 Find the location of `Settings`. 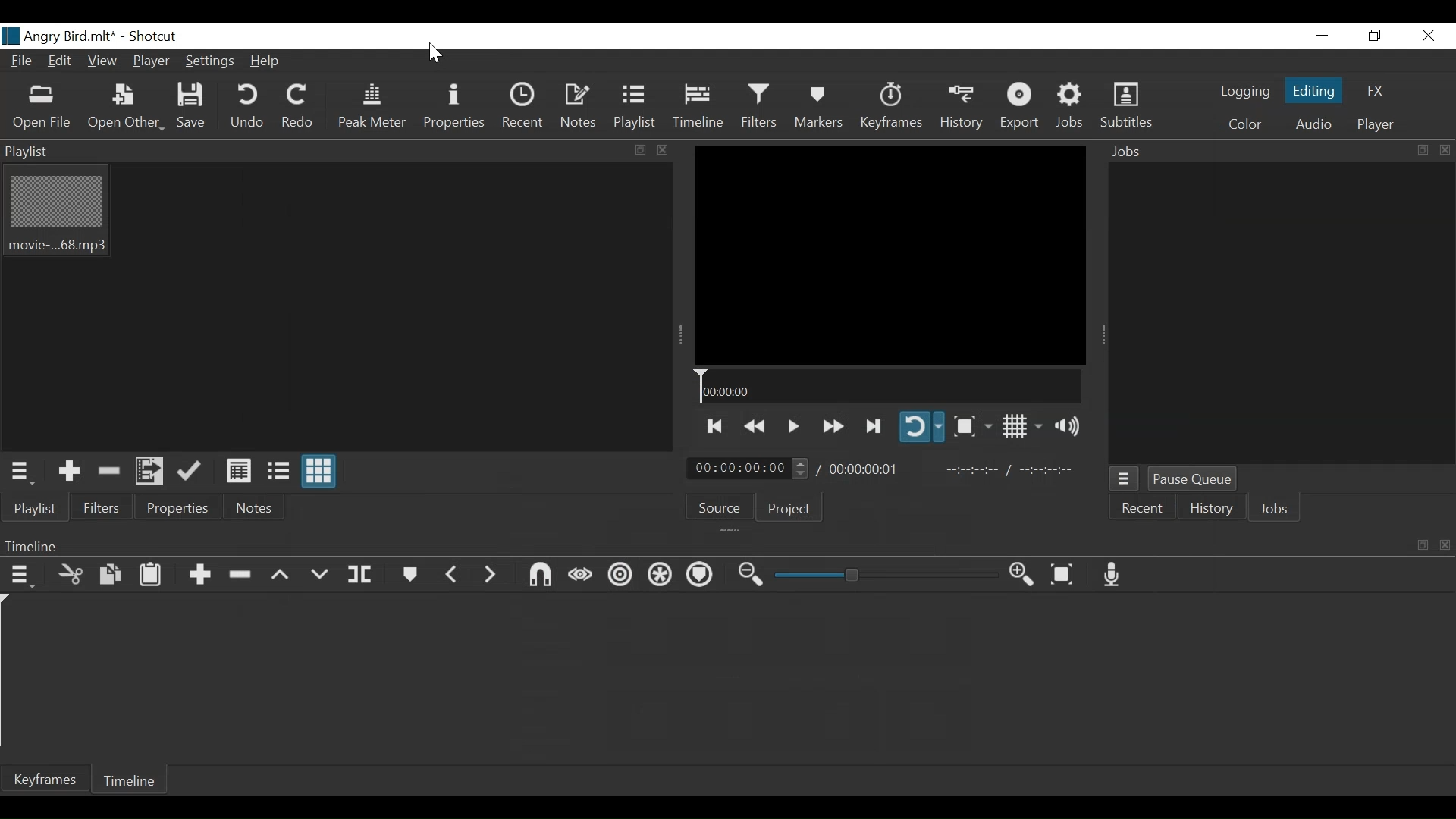

Settings is located at coordinates (208, 61).